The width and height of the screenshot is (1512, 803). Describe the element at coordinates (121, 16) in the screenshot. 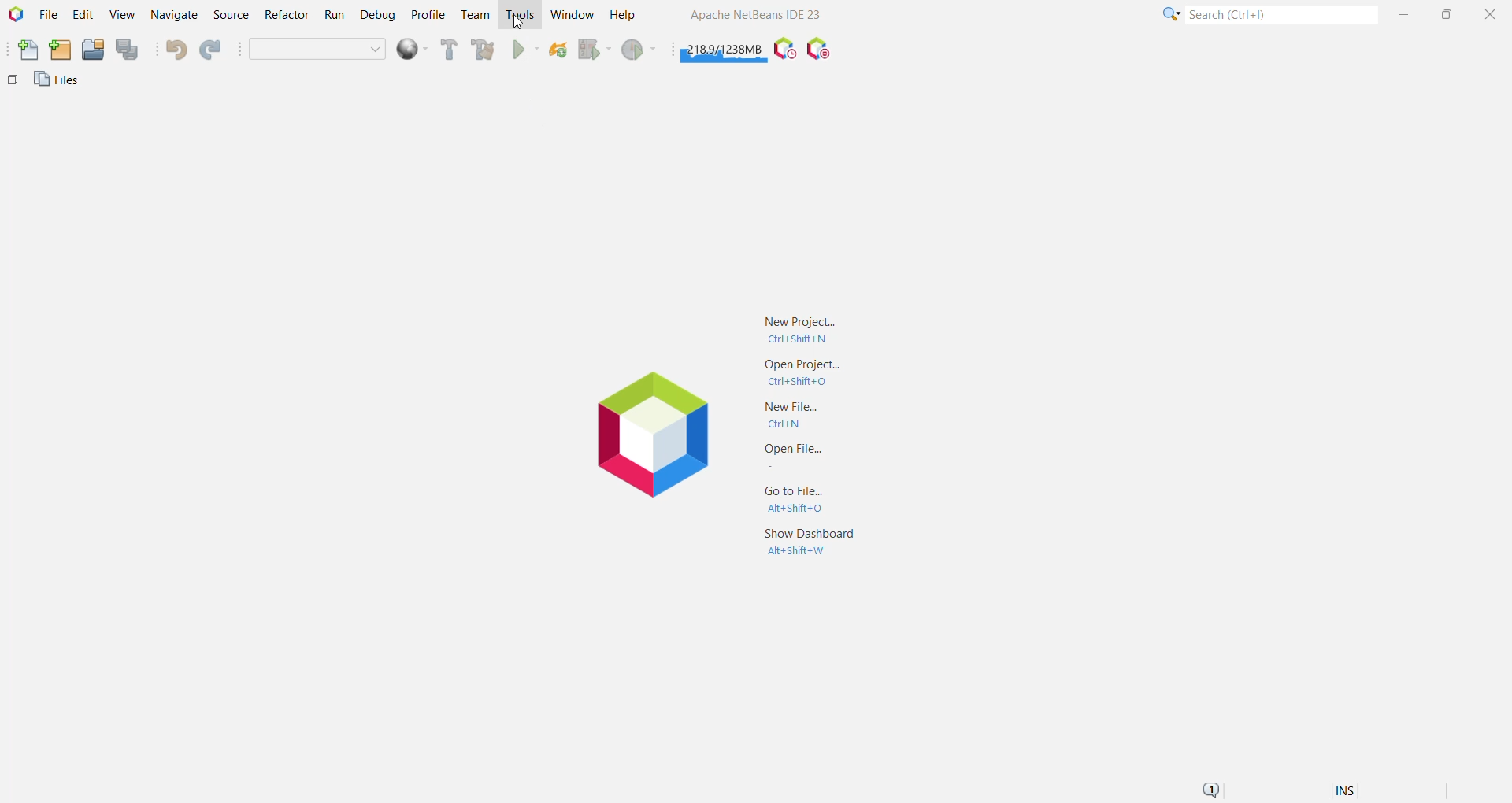

I see `View` at that location.